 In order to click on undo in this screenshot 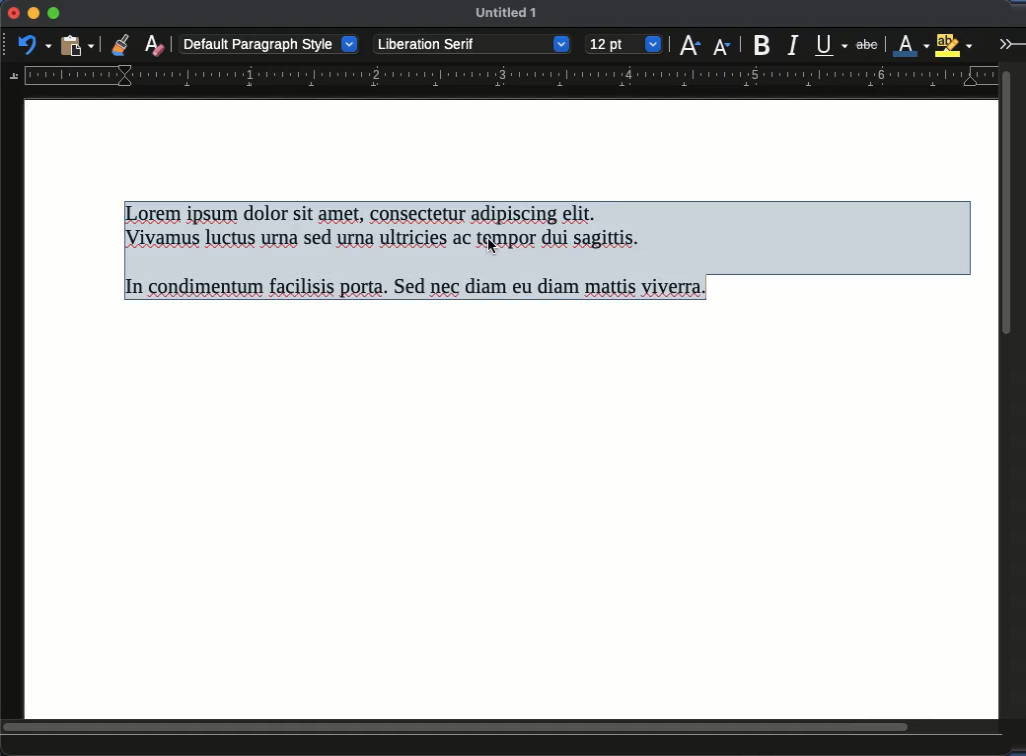, I will do `click(35, 44)`.